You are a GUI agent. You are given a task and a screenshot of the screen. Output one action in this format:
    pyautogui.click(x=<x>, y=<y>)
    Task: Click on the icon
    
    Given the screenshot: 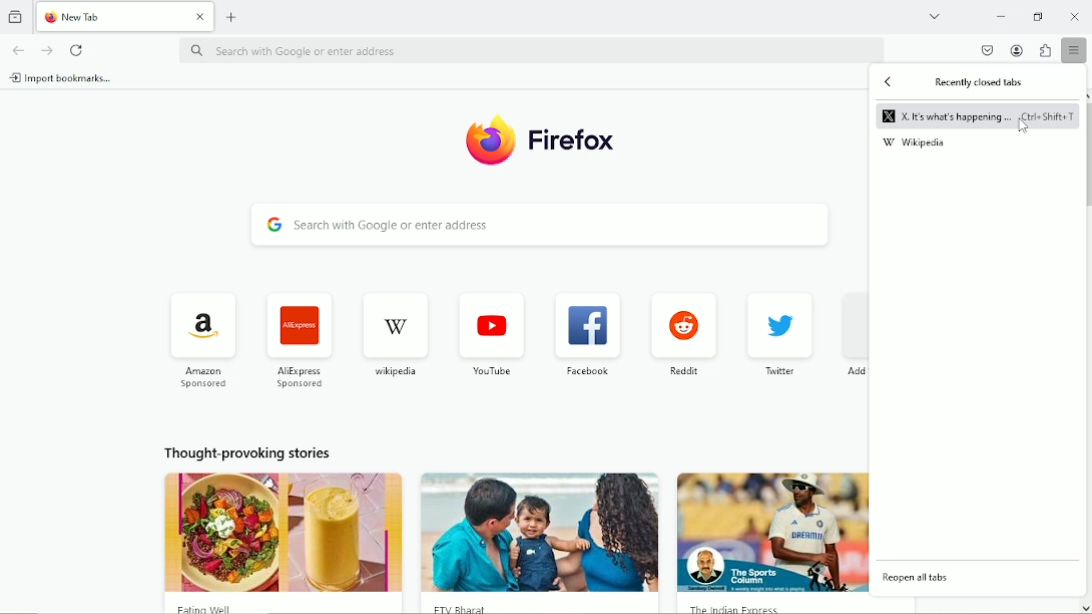 What is the action you would take?
    pyautogui.click(x=580, y=327)
    